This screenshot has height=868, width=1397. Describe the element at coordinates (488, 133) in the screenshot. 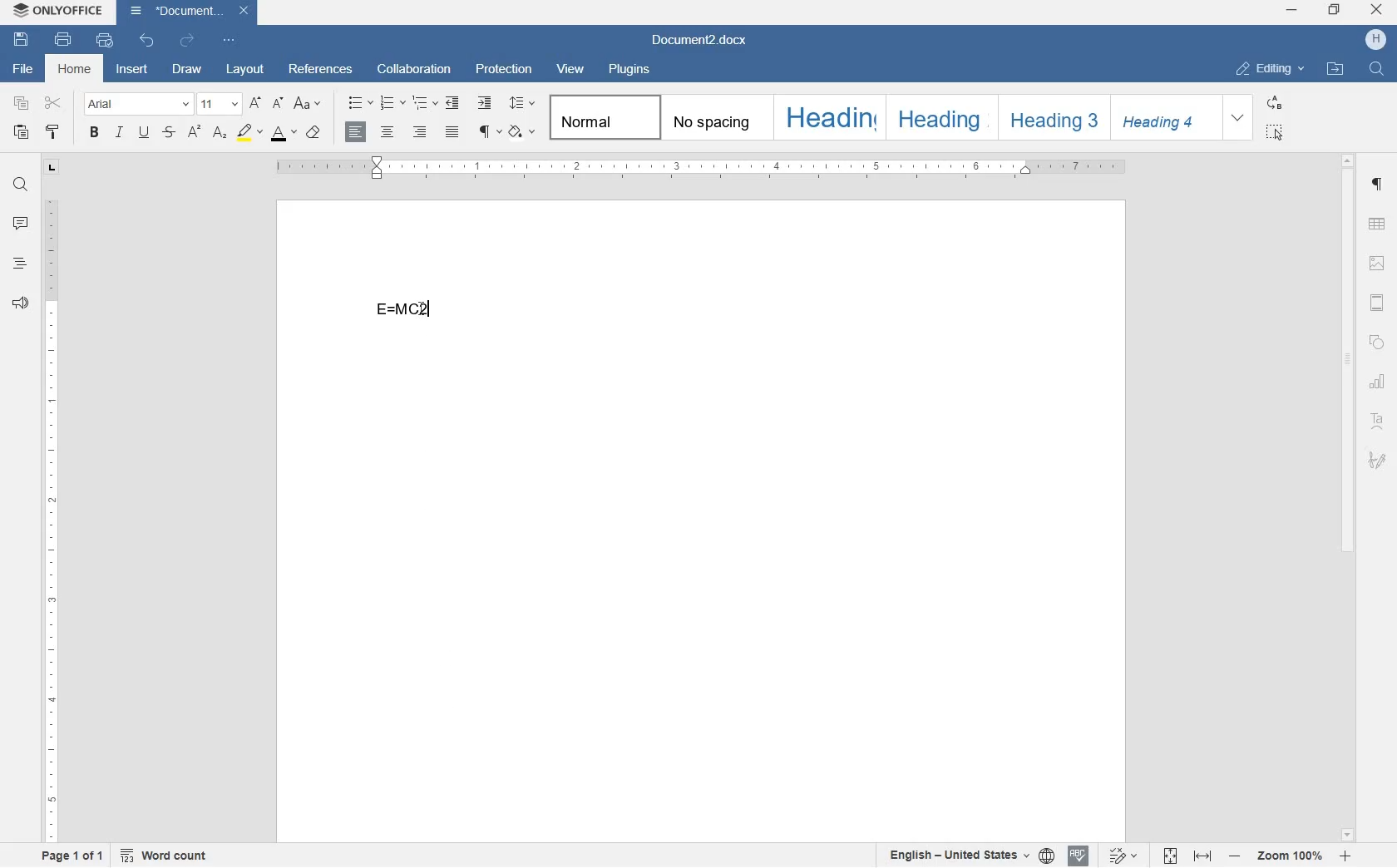

I see `non printing characters` at that location.